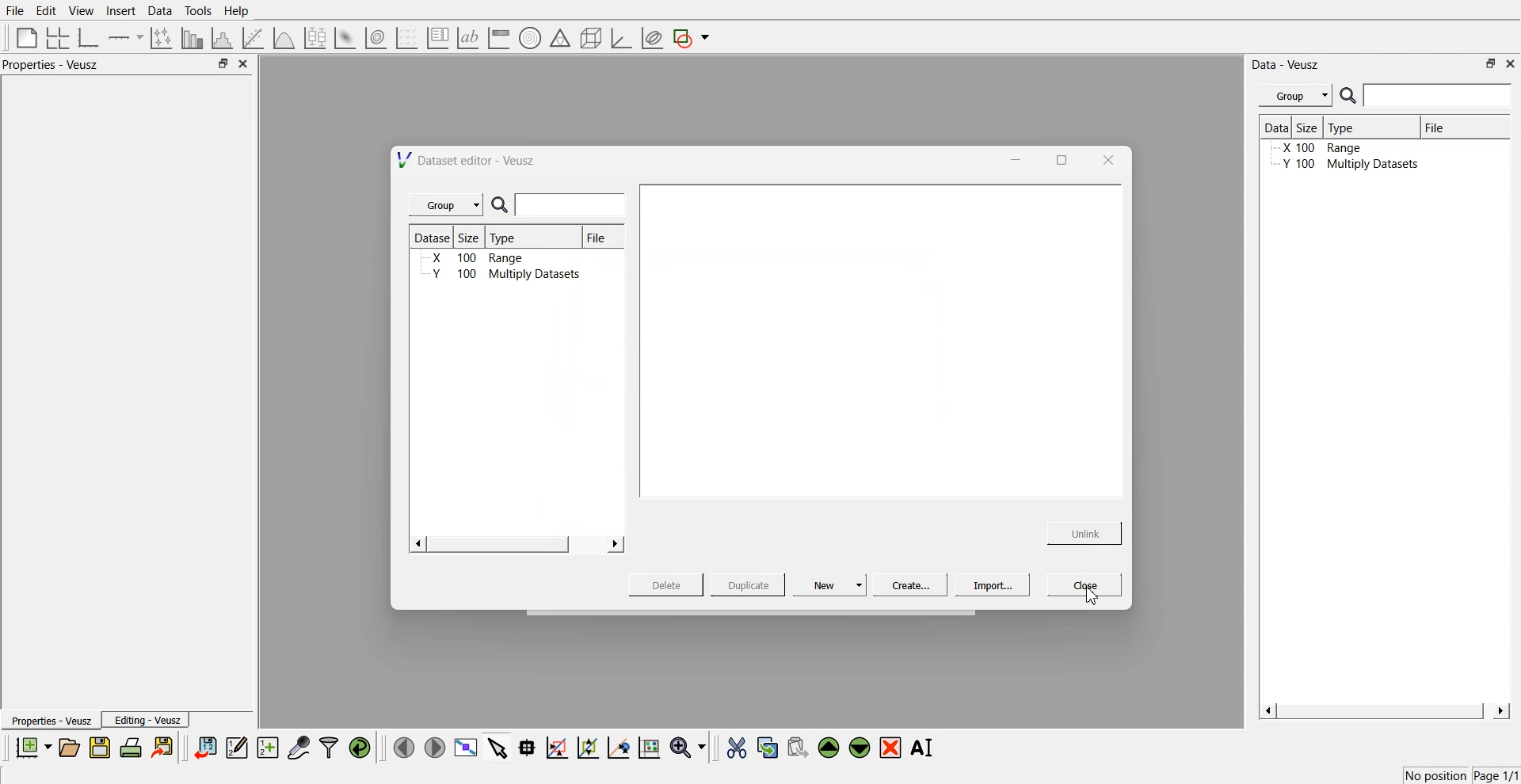 The image size is (1521, 784). Describe the element at coordinates (1295, 96) in the screenshot. I see `` at that location.